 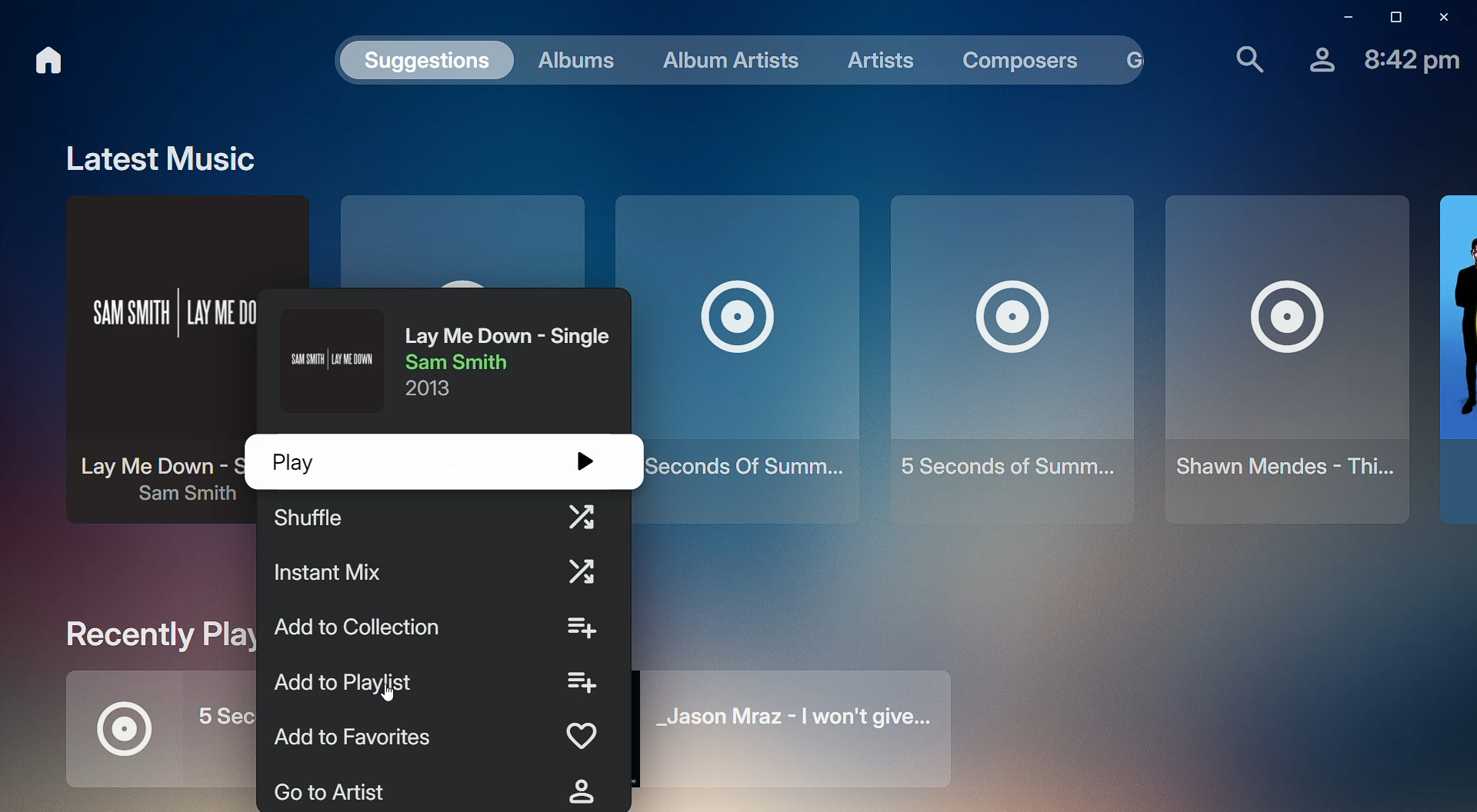 I want to click on Shuffle, so click(x=442, y=517).